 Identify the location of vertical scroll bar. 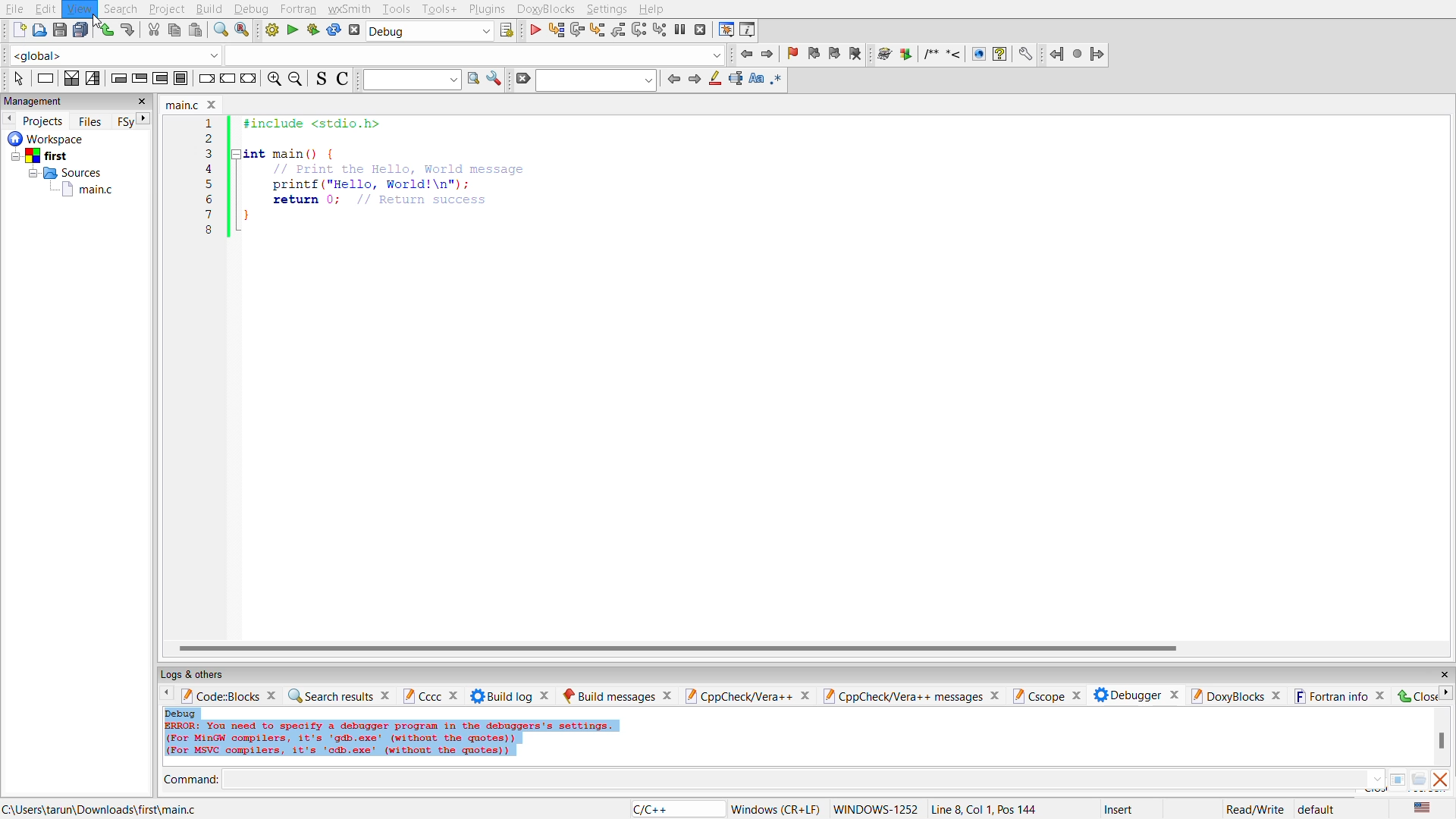
(1442, 741).